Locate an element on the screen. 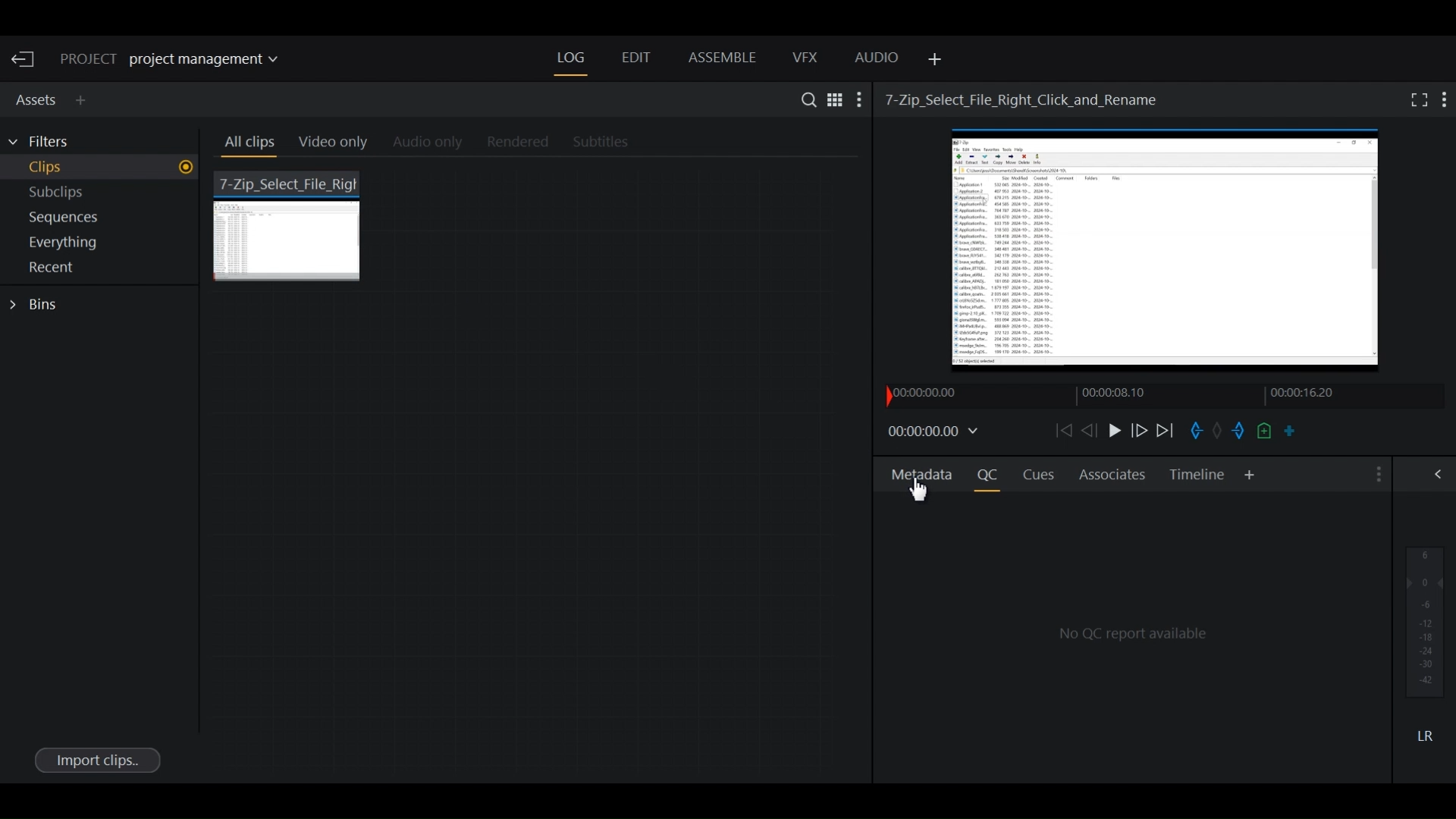 This screenshot has width=1456, height=819. Bins is located at coordinates (38, 305).